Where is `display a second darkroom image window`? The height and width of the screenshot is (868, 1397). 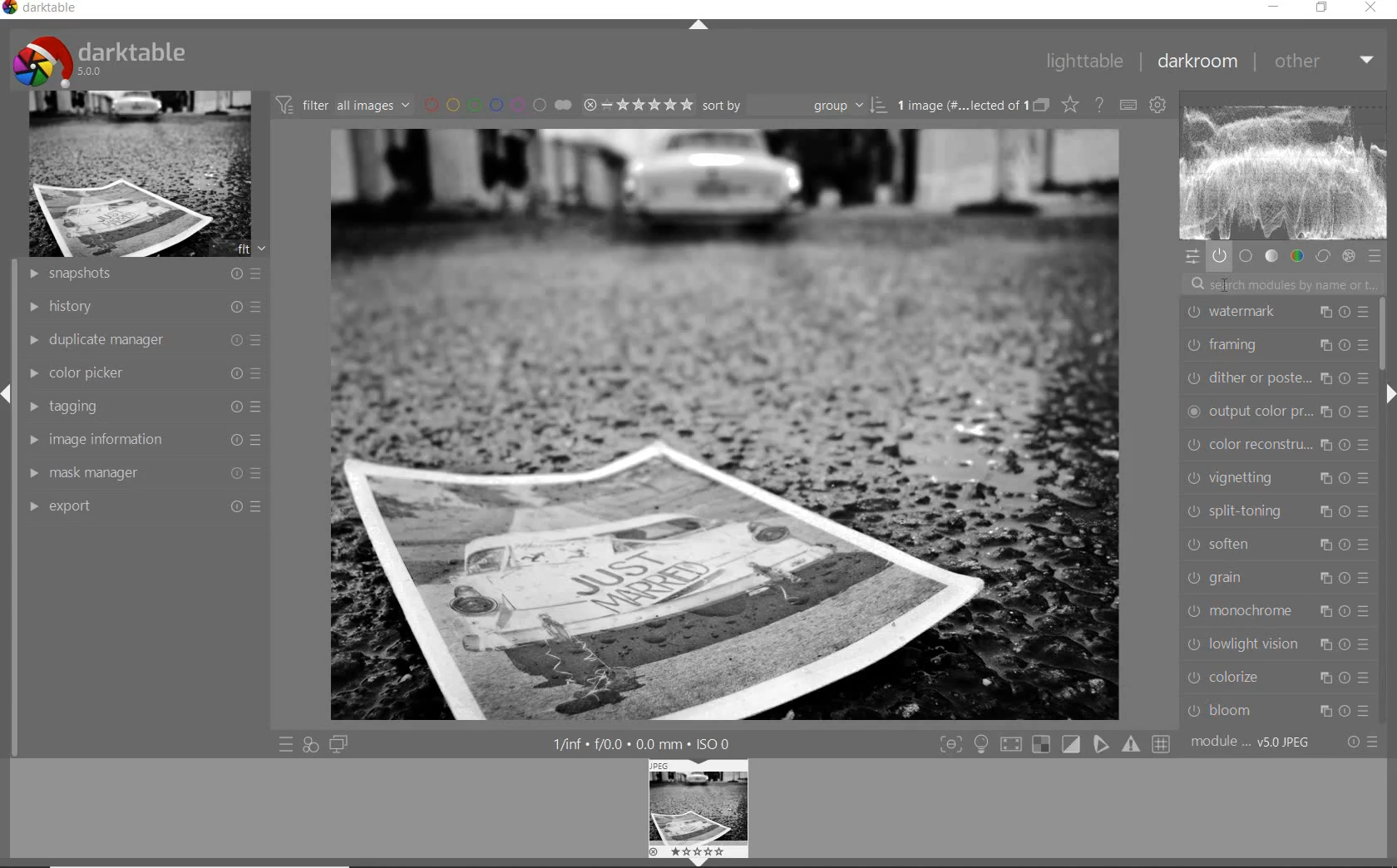
display a second darkroom image window is located at coordinates (338, 744).